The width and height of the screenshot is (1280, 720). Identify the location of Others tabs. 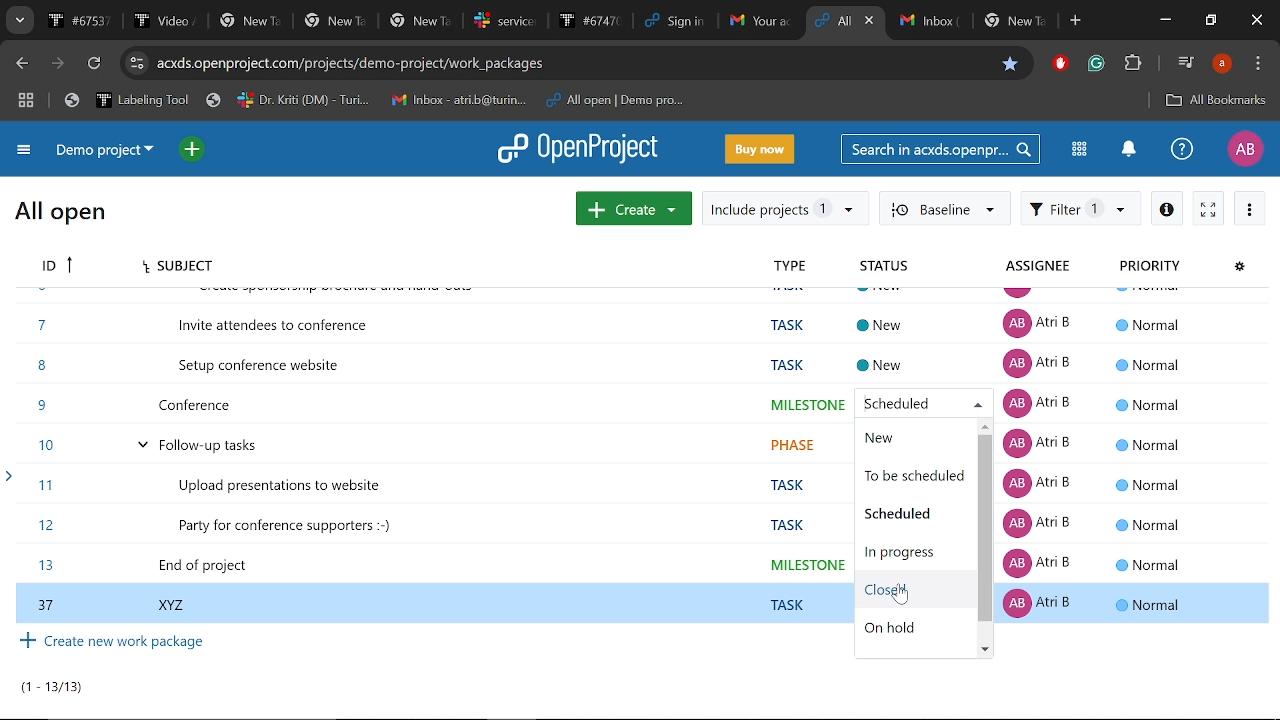
(973, 23).